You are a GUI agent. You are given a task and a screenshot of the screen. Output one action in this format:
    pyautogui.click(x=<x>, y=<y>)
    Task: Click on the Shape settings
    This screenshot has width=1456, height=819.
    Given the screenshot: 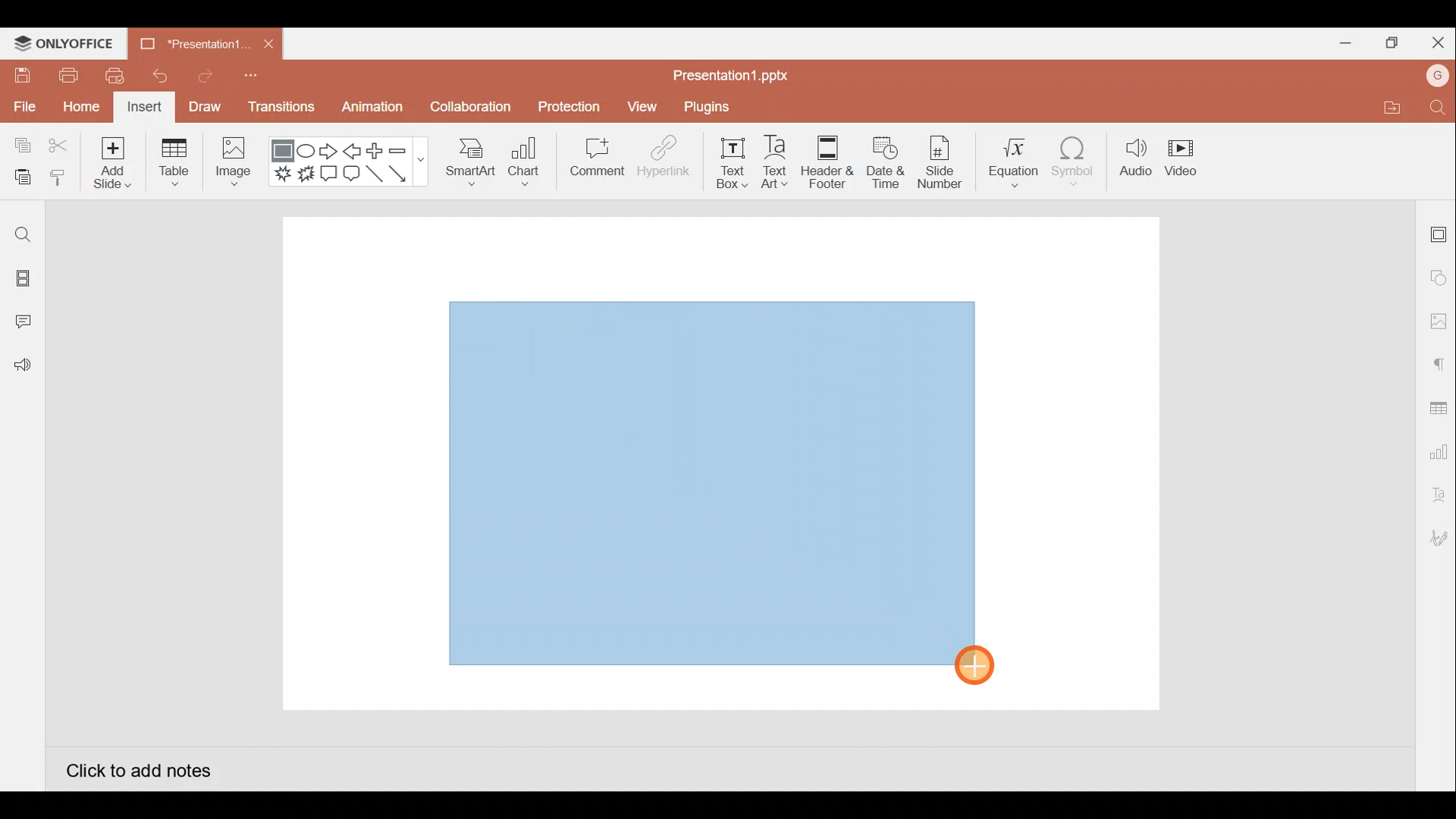 What is the action you would take?
    pyautogui.click(x=1439, y=277)
    